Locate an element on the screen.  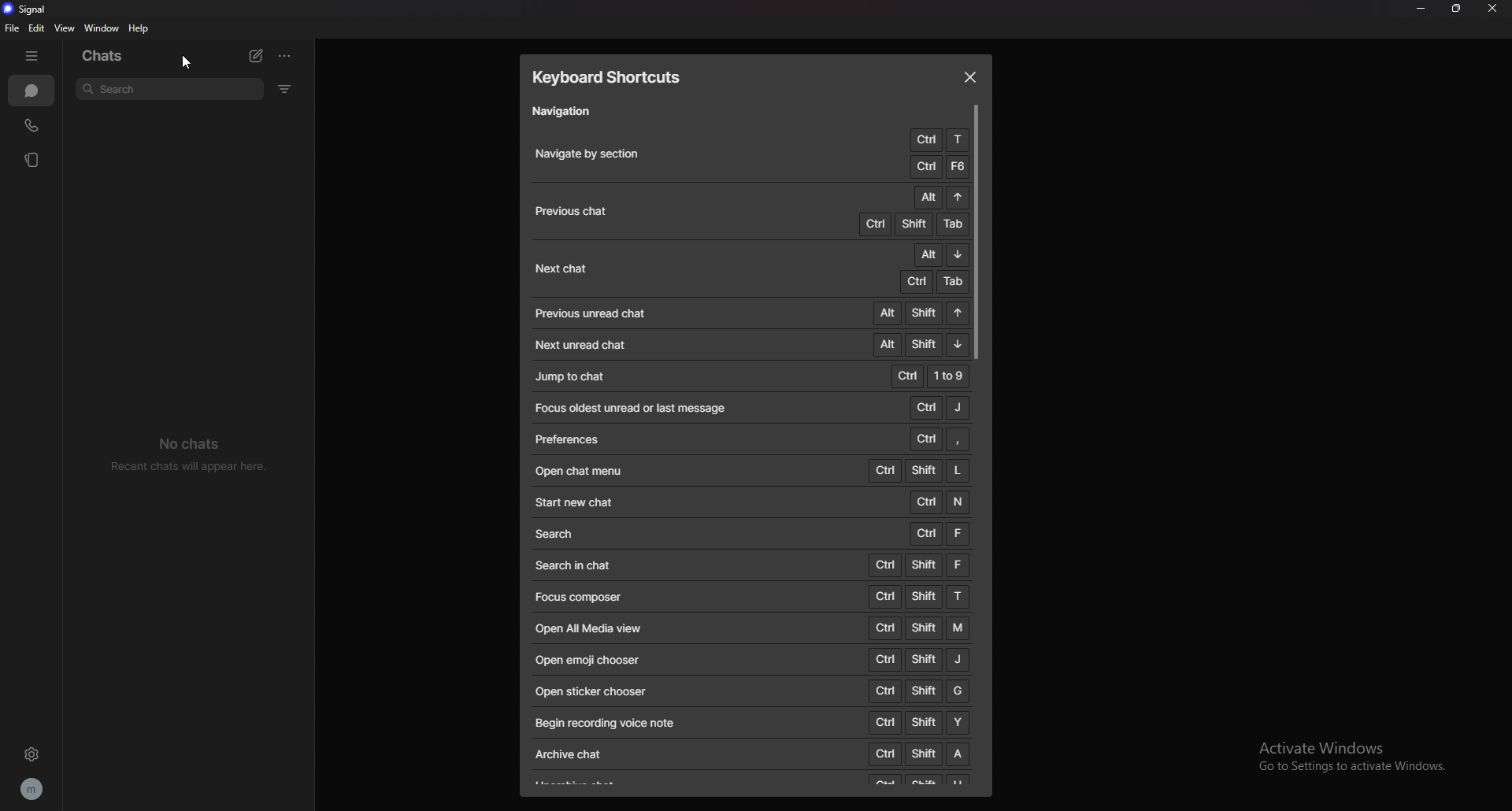
previous unread chat is located at coordinates (591, 314).